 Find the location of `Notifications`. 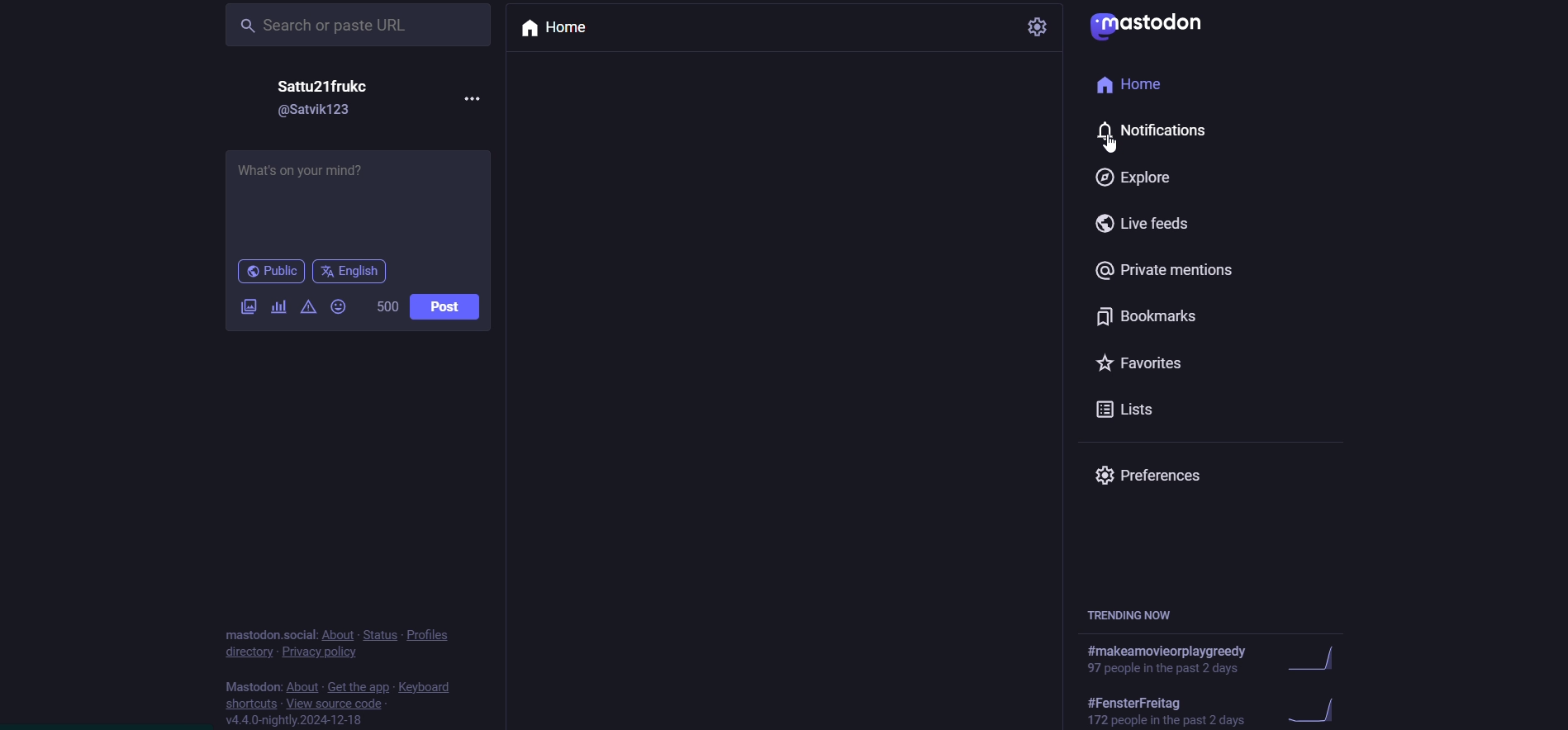

Notifications is located at coordinates (1147, 129).